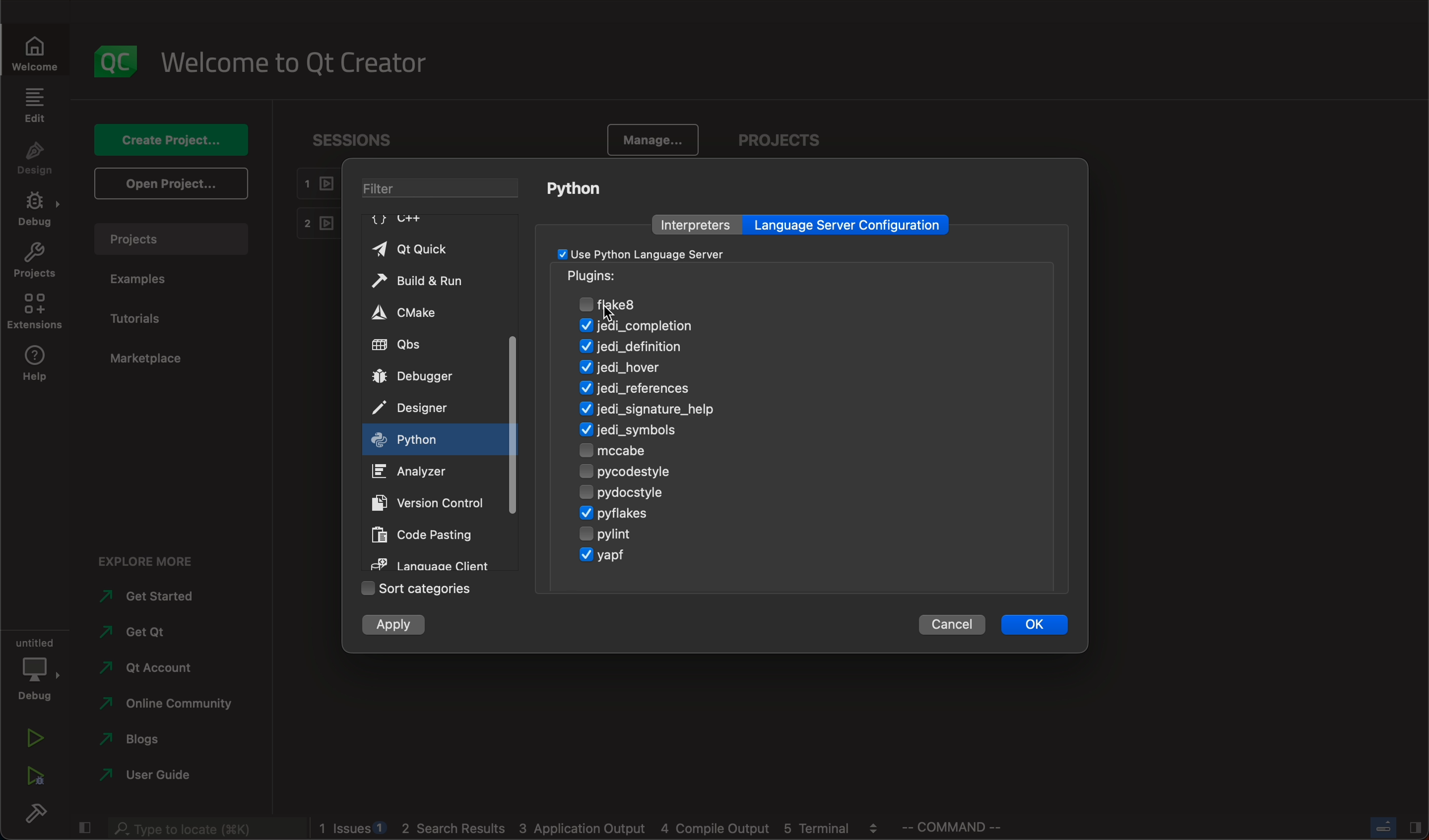 The width and height of the screenshot is (1429, 840). What do you see at coordinates (657, 411) in the screenshot?
I see `signature ` at bounding box center [657, 411].